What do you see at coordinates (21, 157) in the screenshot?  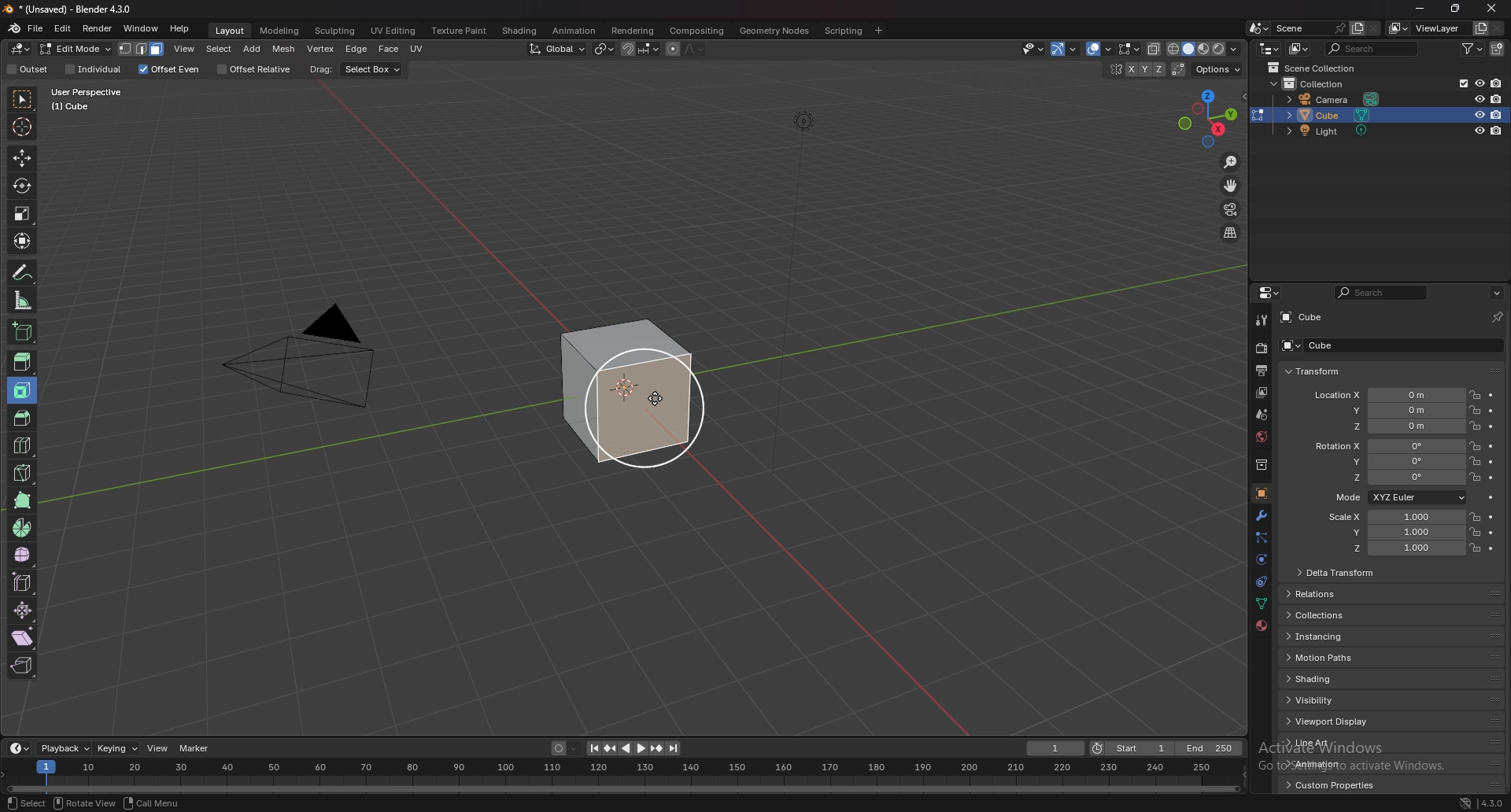 I see `move` at bounding box center [21, 157].